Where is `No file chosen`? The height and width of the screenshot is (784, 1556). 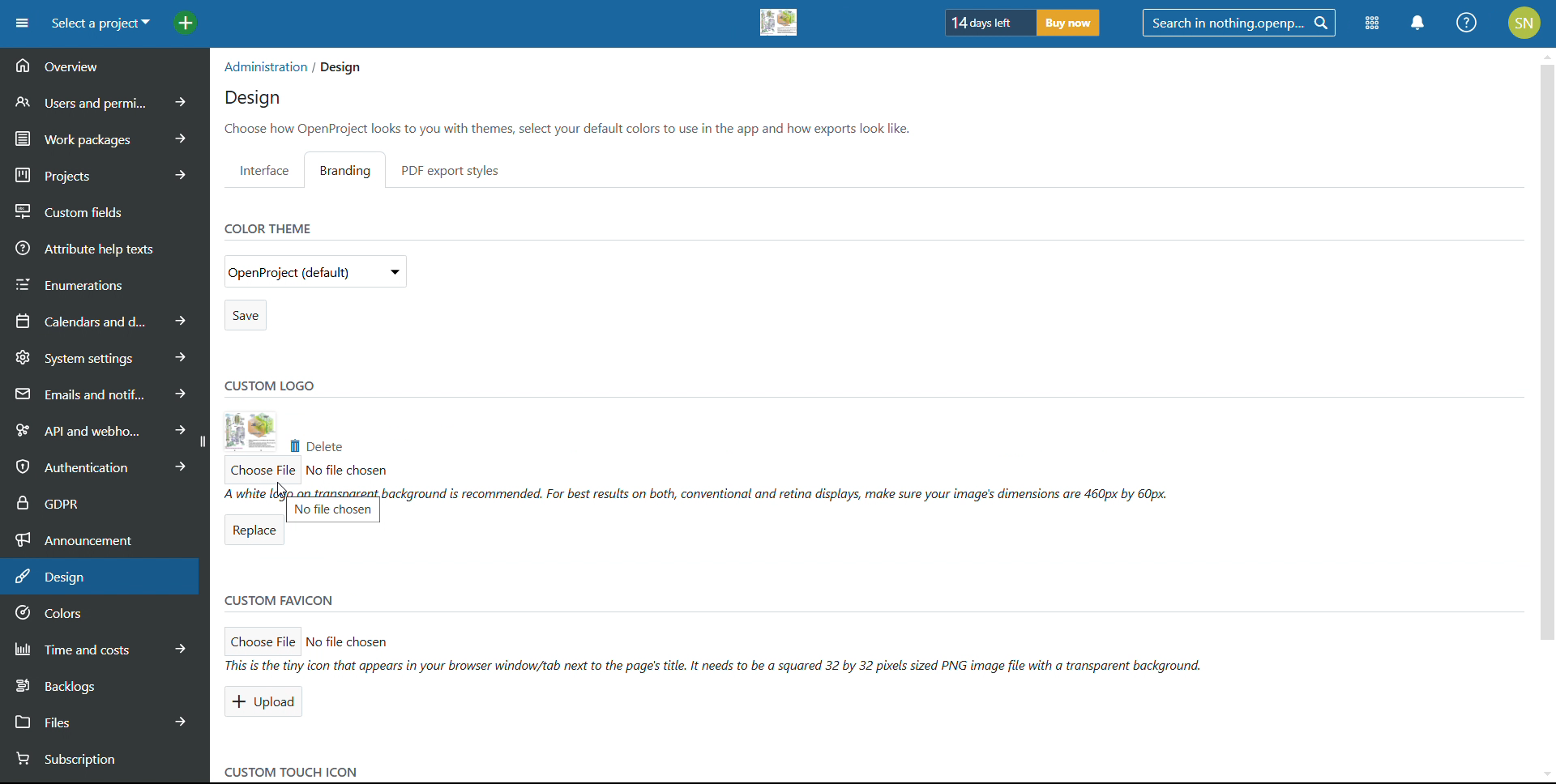
No file chosen is located at coordinates (347, 470).